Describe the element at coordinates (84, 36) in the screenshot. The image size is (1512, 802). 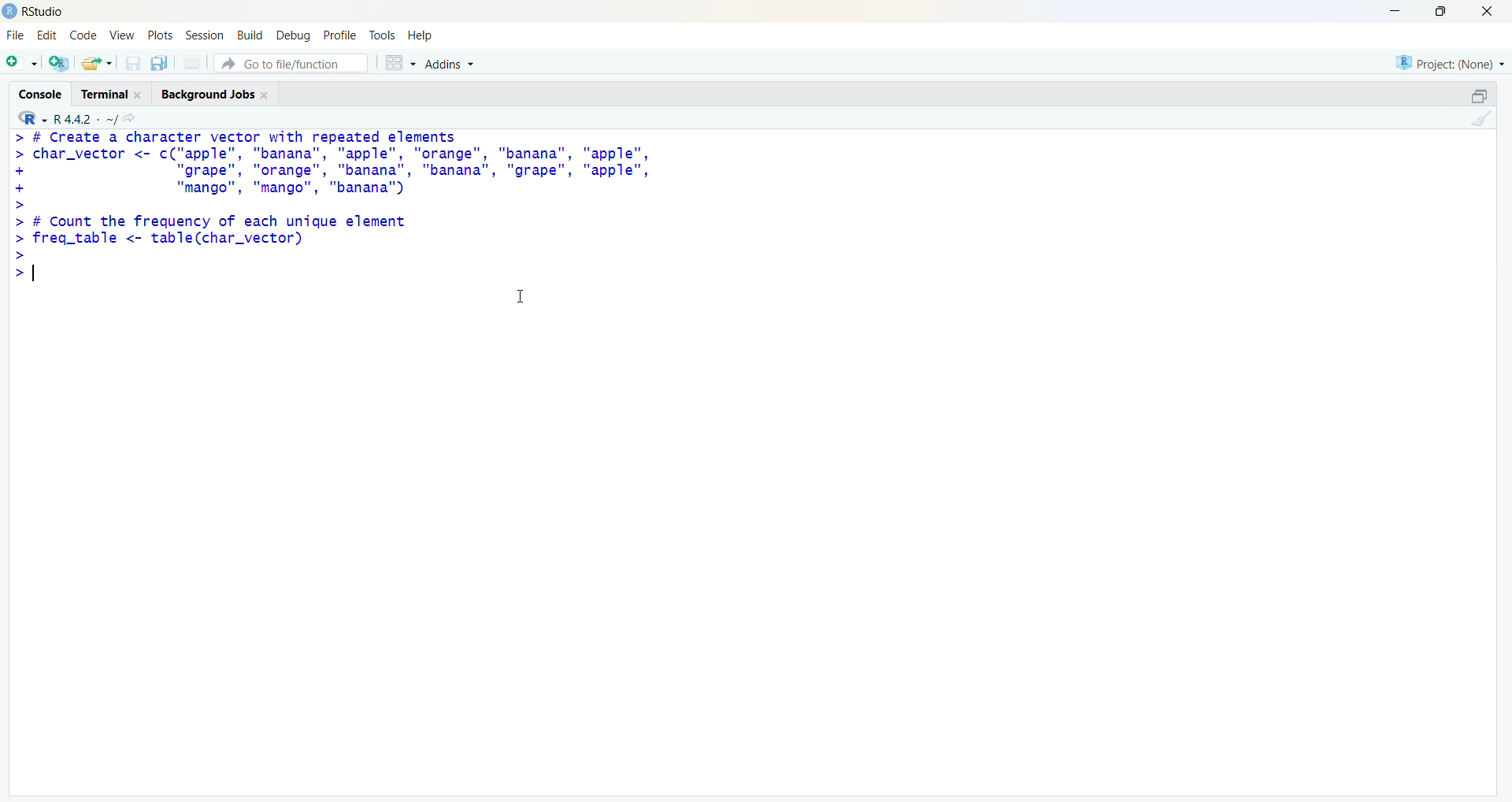
I see `Code` at that location.